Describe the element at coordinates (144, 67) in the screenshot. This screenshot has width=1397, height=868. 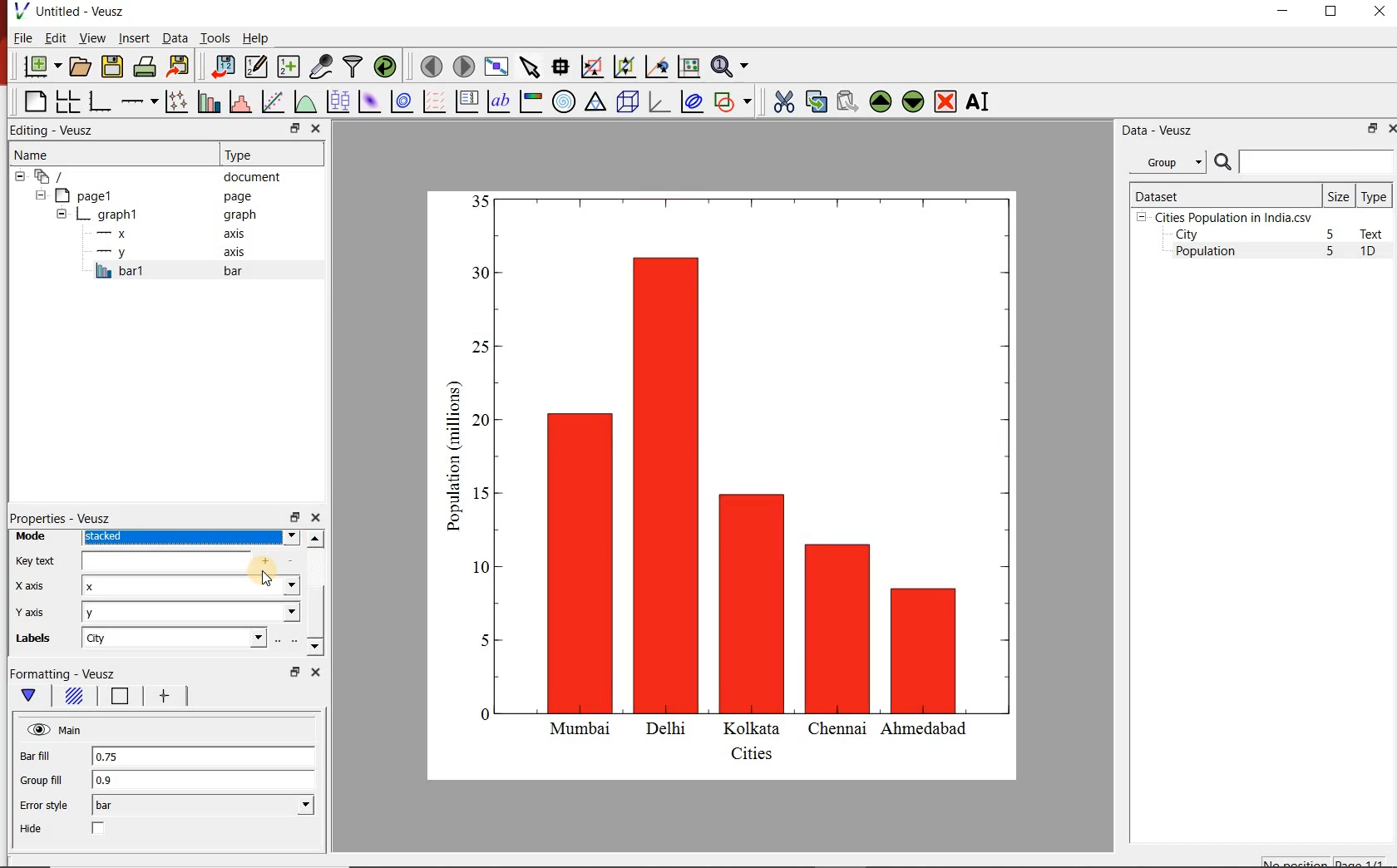
I see `print the document` at that location.